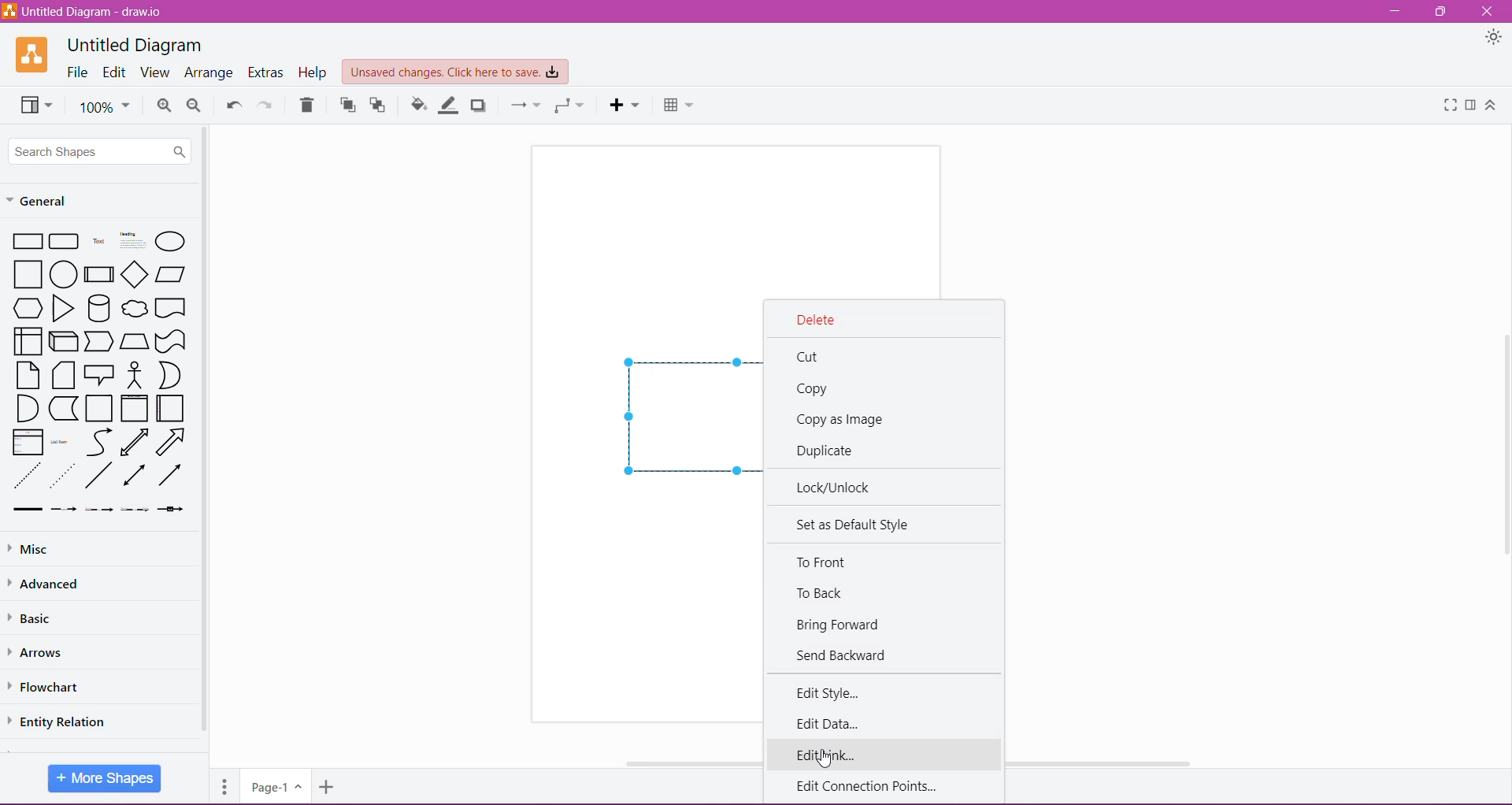 Image resolution: width=1512 pixels, height=805 pixels. What do you see at coordinates (1442, 10) in the screenshot?
I see `Restore Down` at bounding box center [1442, 10].